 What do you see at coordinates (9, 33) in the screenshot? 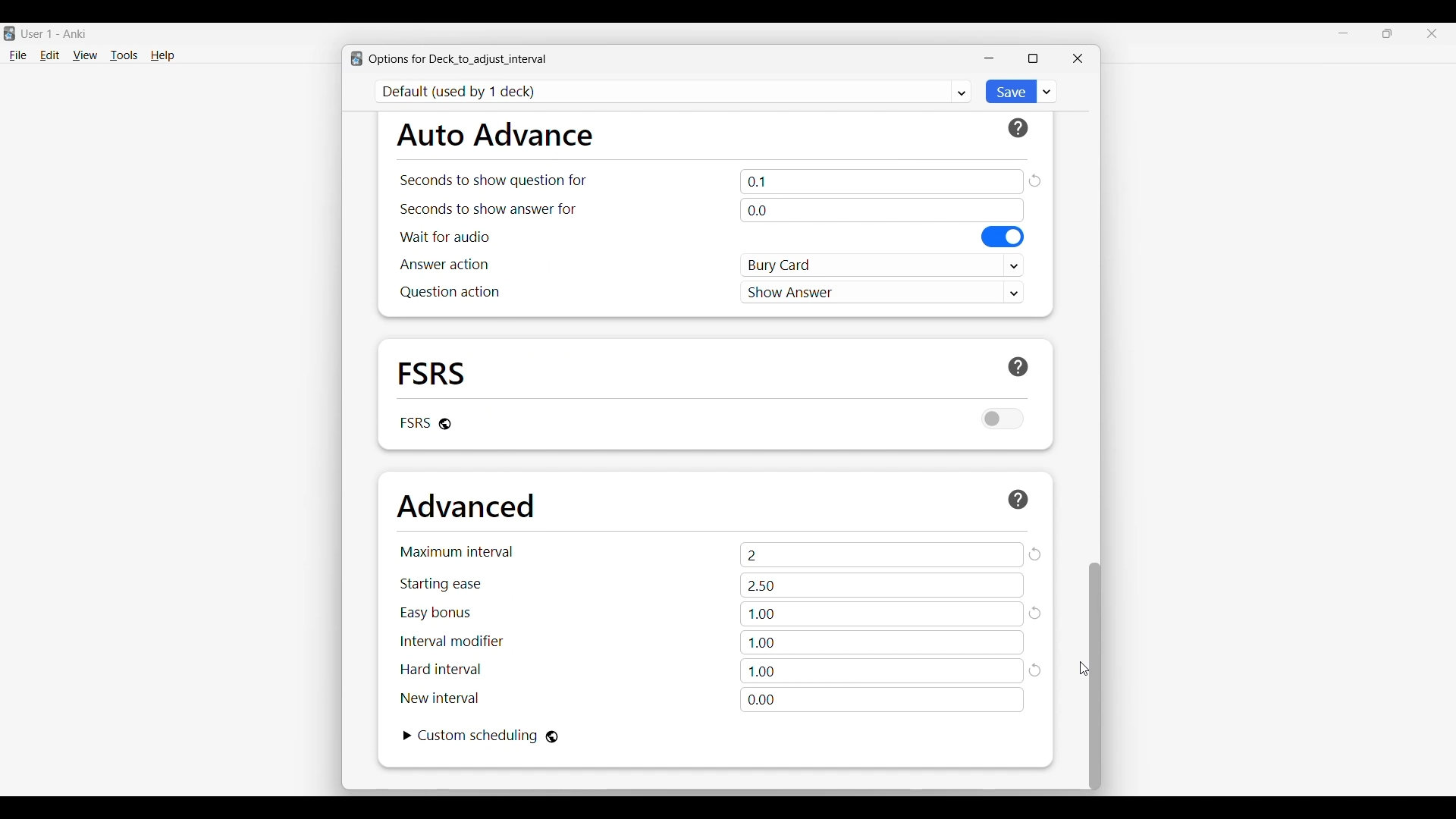
I see `Software logo` at bounding box center [9, 33].